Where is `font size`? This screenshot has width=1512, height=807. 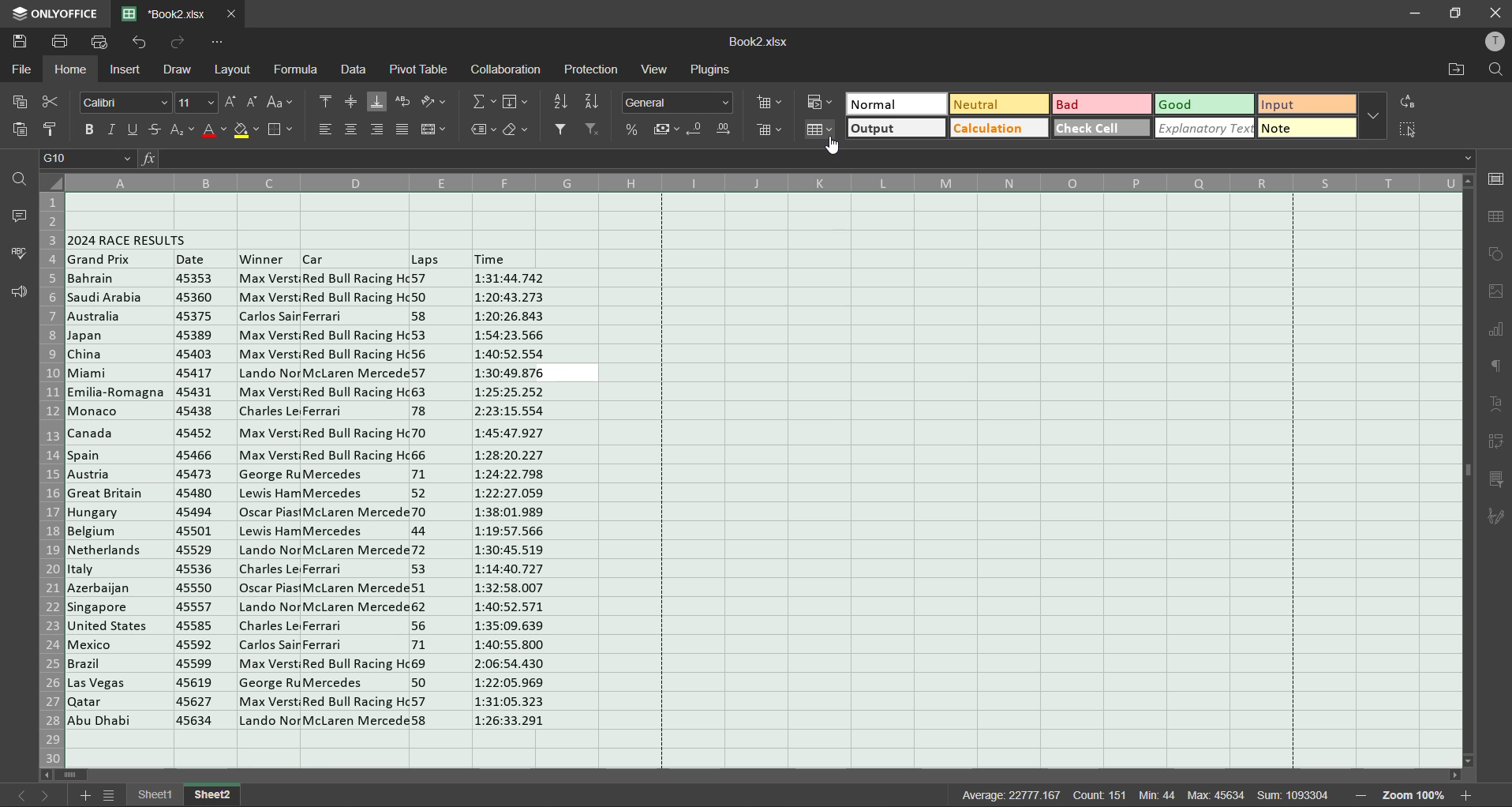
font size is located at coordinates (194, 101).